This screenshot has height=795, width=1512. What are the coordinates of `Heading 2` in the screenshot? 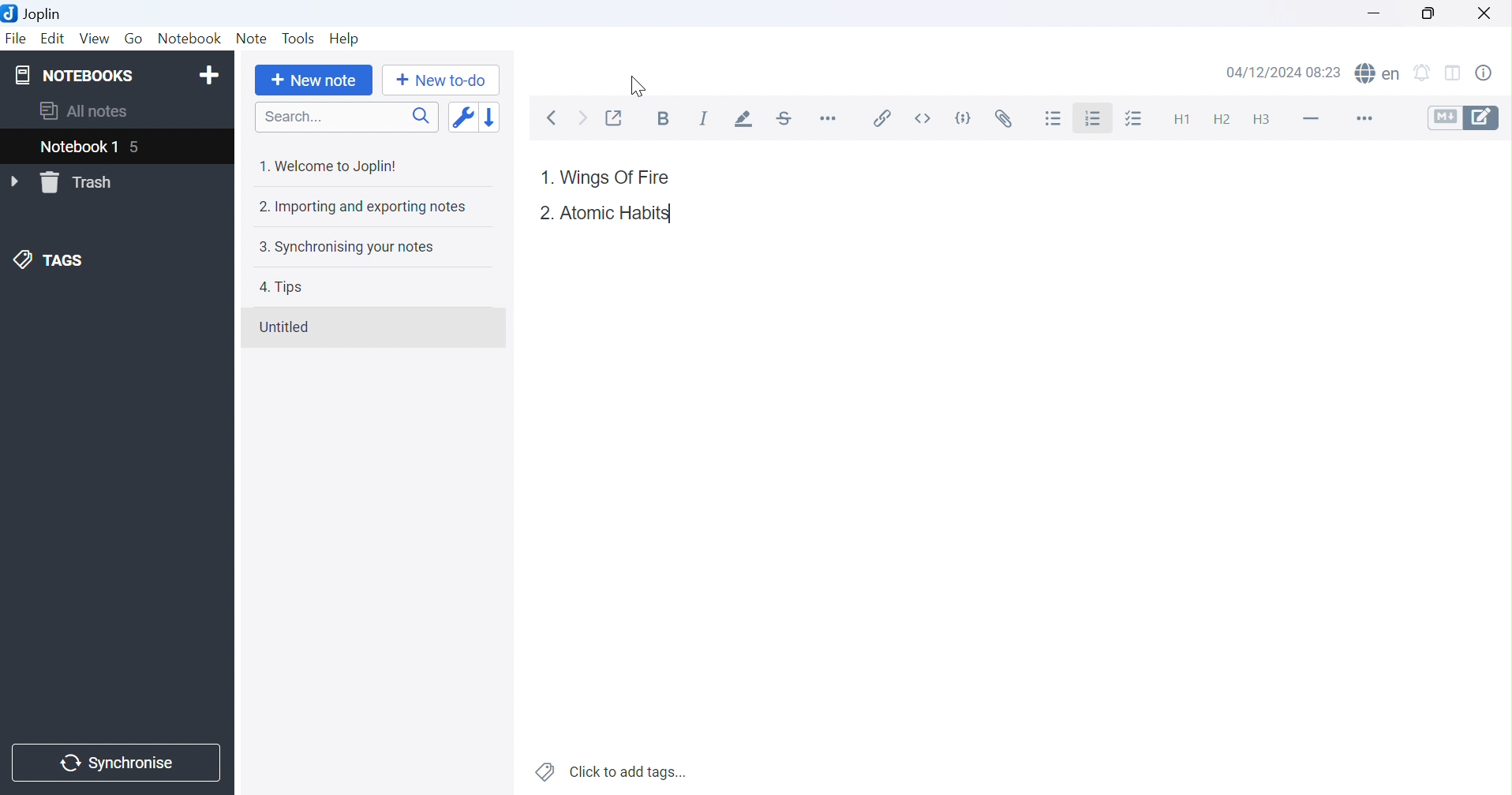 It's located at (1221, 117).